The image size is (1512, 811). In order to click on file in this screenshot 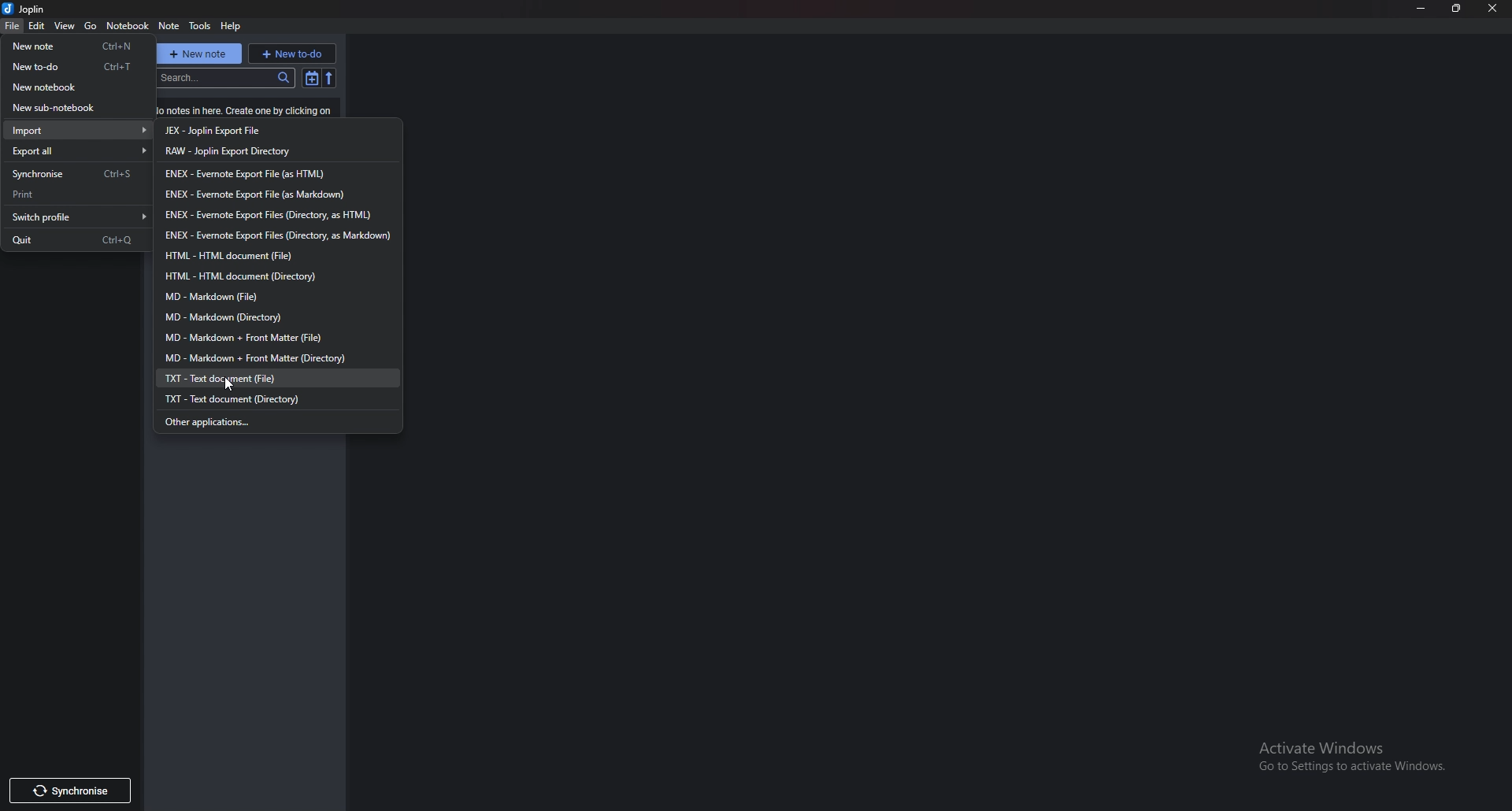, I will do `click(13, 26)`.